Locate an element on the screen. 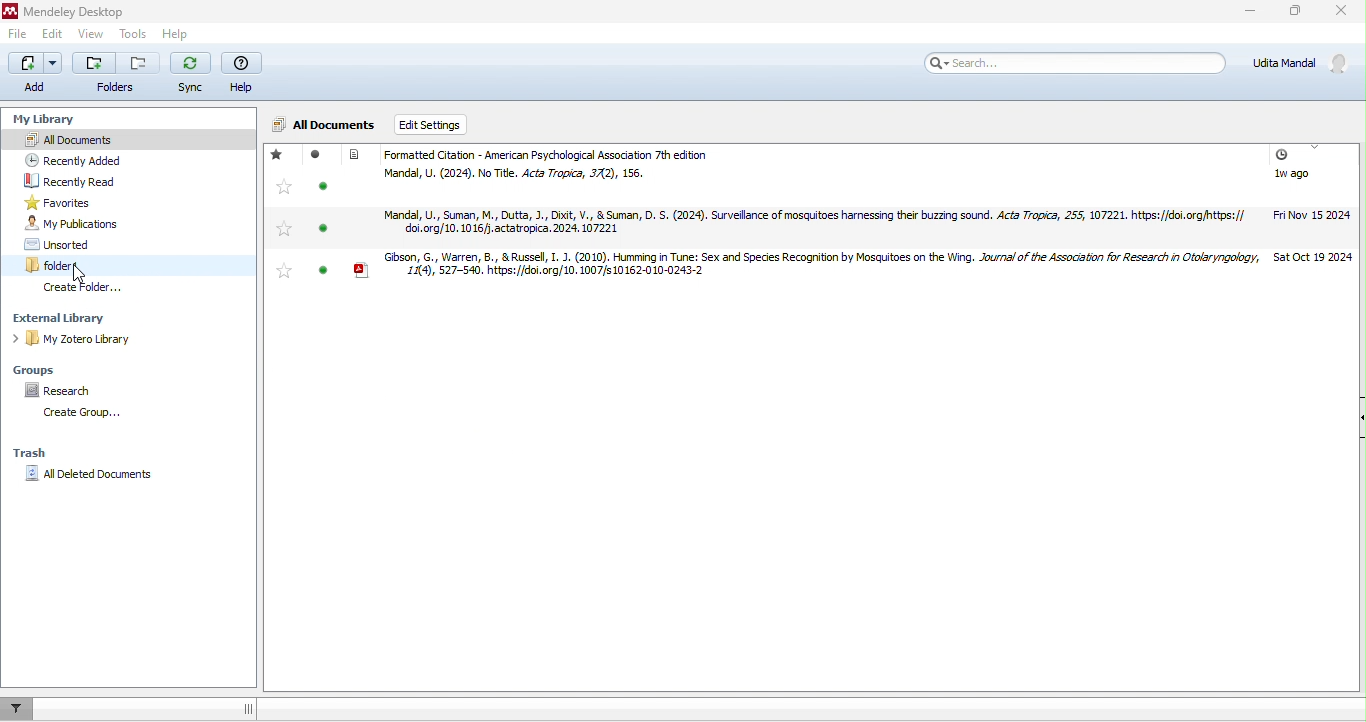 The image size is (1366, 722). edit settings is located at coordinates (441, 125).